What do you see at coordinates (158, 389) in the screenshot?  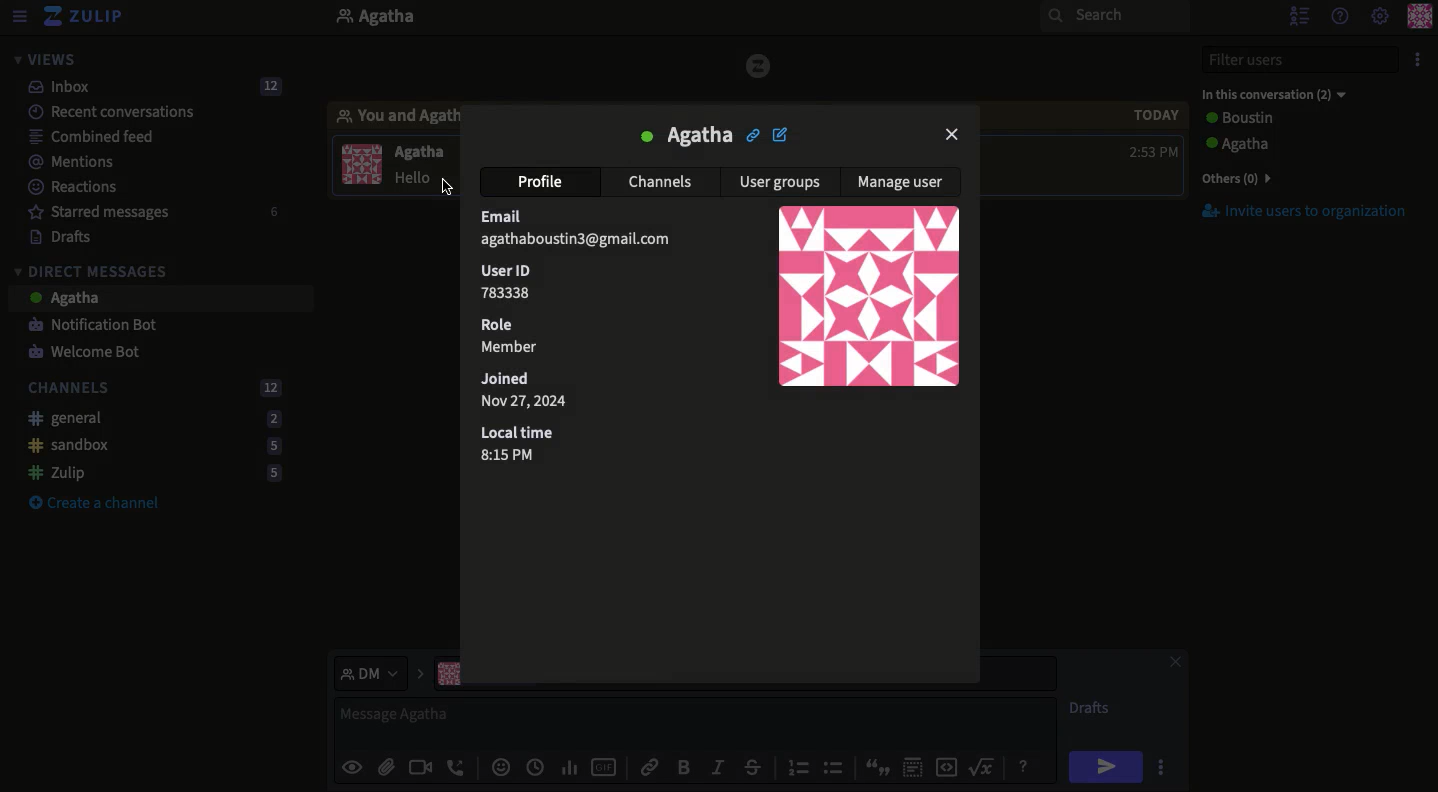 I see `Channels` at bounding box center [158, 389].